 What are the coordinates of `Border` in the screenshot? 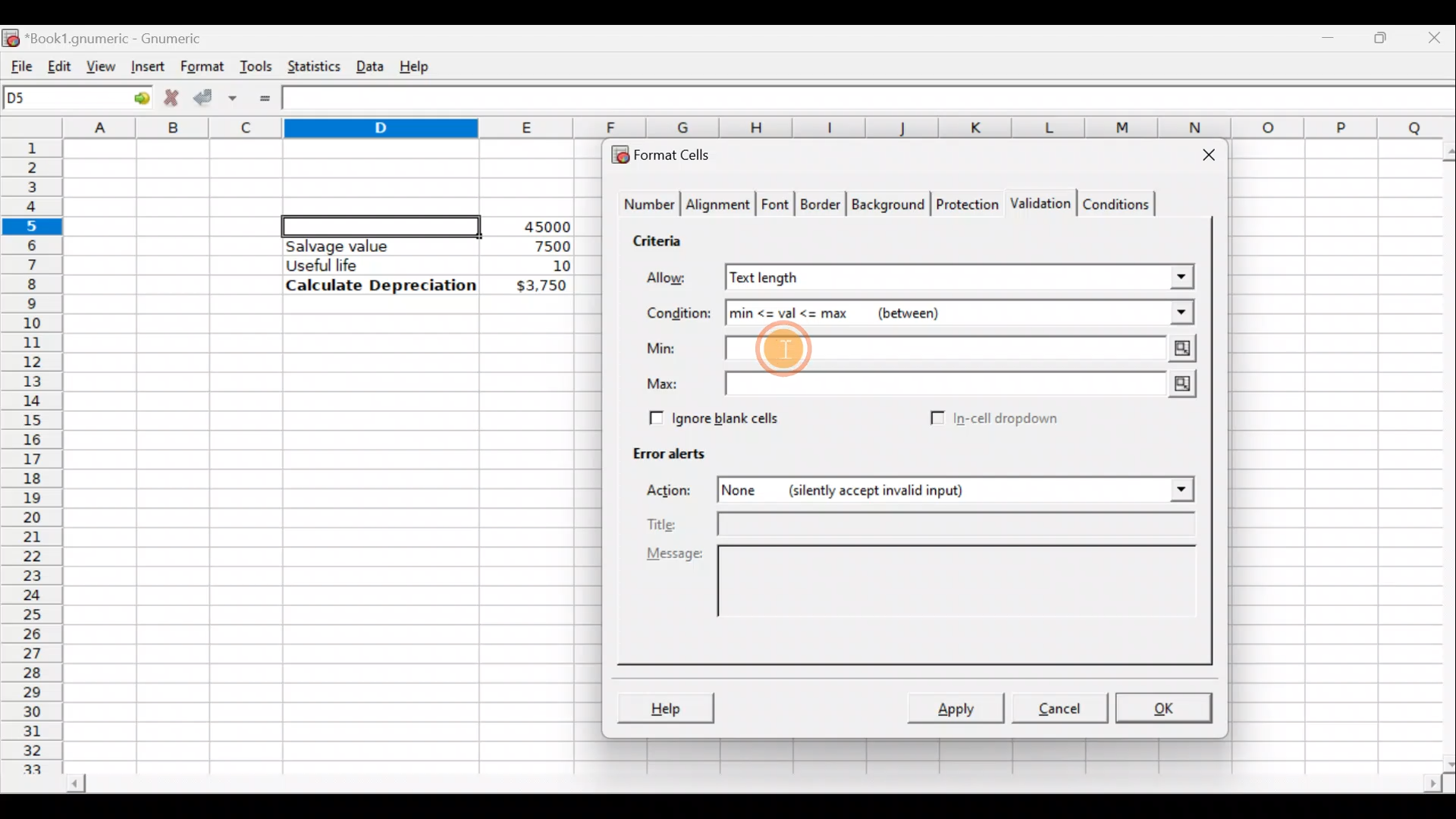 It's located at (822, 208).